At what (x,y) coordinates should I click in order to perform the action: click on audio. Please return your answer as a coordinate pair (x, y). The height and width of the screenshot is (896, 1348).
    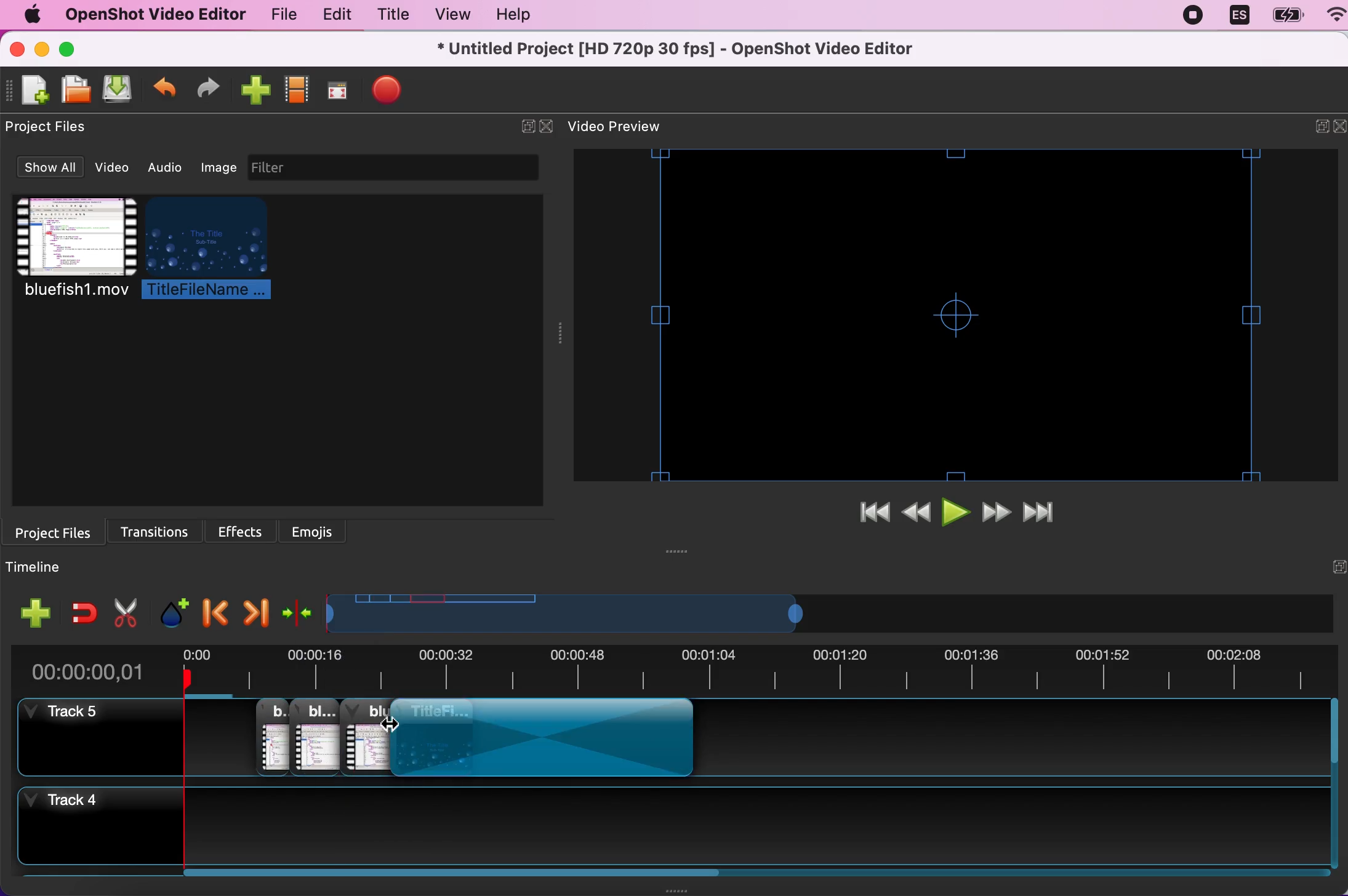
    Looking at the image, I should click on (169, 167).